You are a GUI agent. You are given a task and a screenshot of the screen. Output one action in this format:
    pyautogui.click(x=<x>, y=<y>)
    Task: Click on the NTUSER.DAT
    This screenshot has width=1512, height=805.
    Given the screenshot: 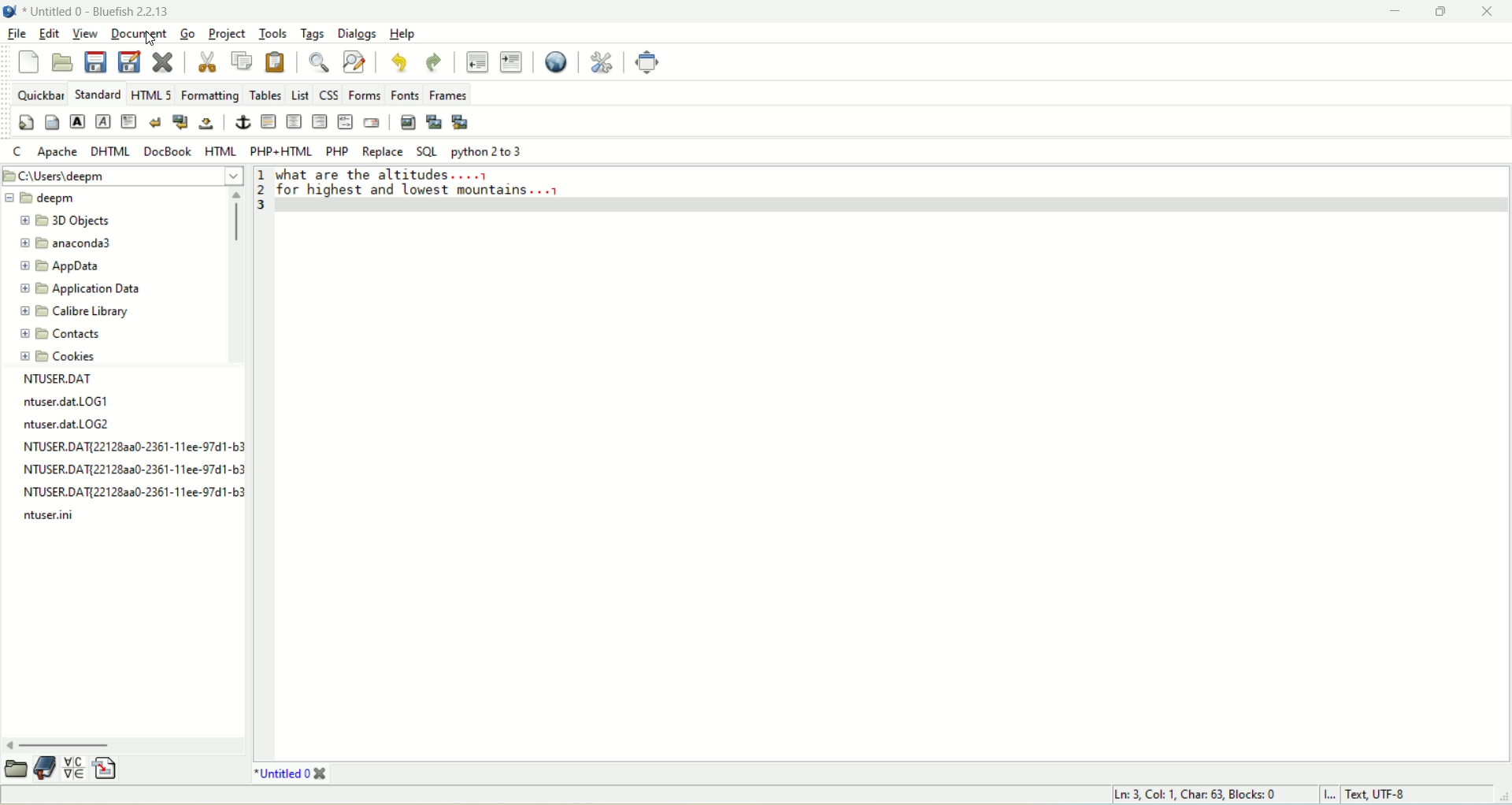 What is the action you would take?
    pyautogui.click(x=65, y=379)
    